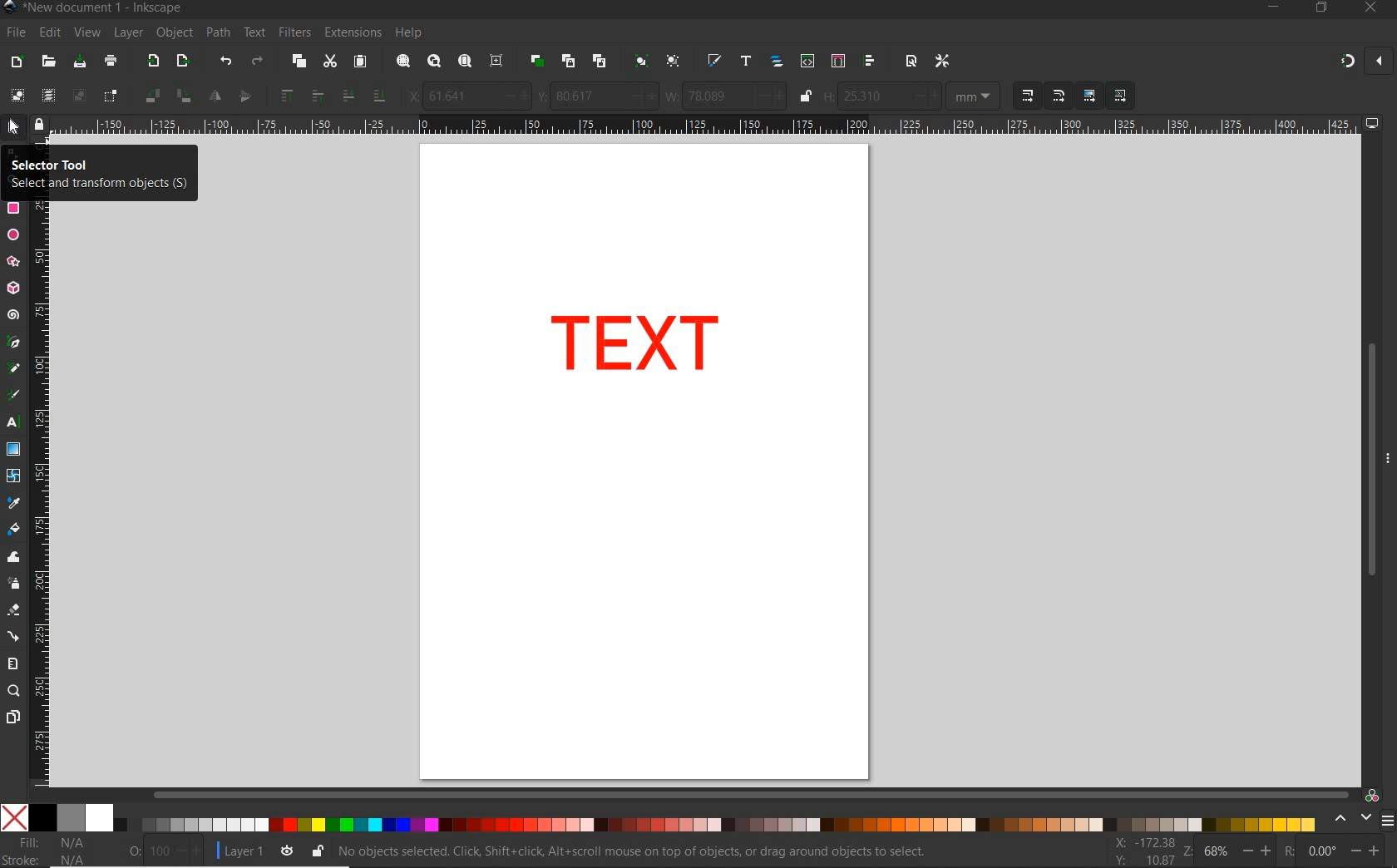 This screenshot has width=1397, height=868. What do you see at coordinates (13, 663) in the screenshot?
I see `measure tool` at bounding box center [13, 663].